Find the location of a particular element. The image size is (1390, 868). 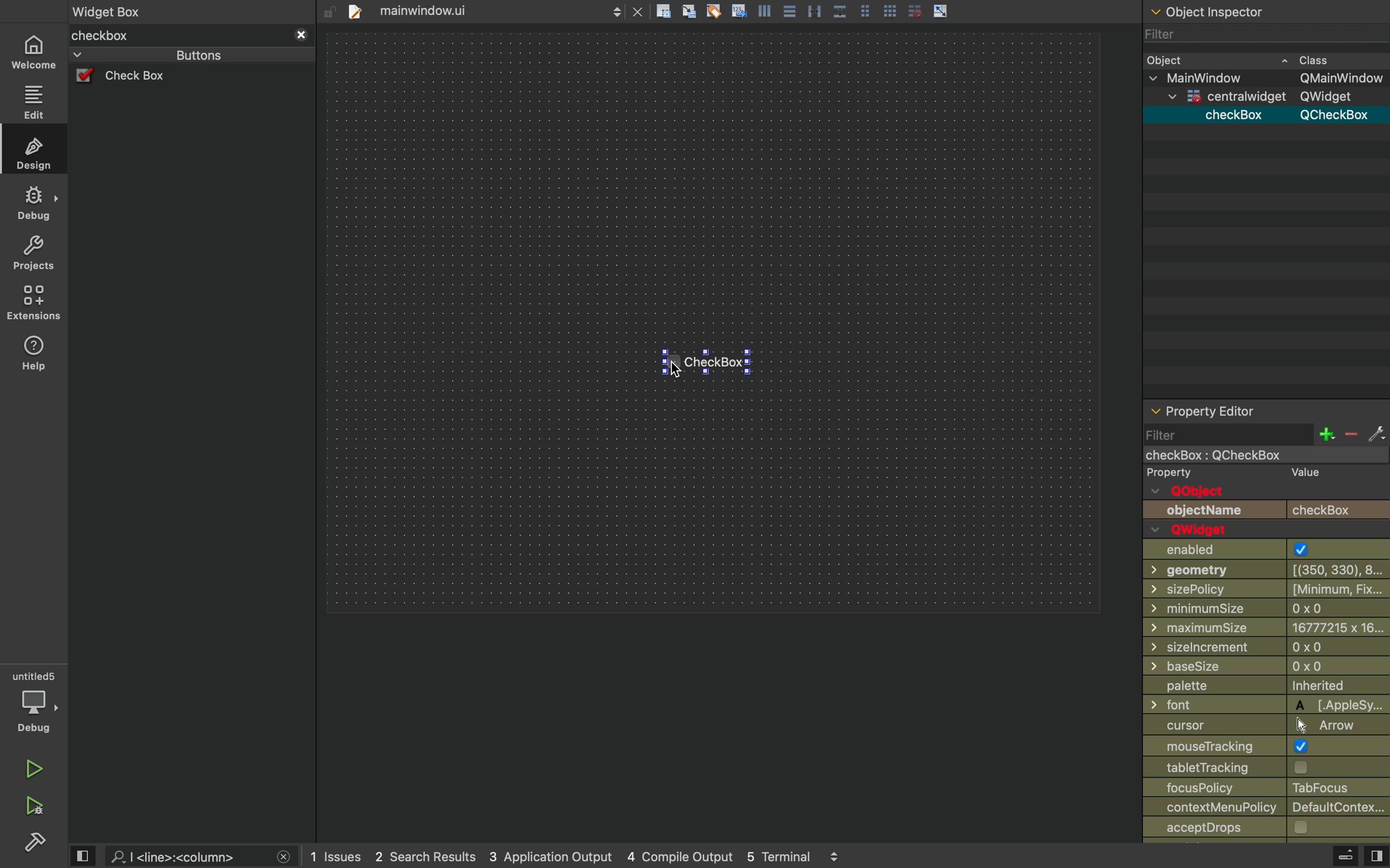

environment is located at coordinates (32, 303).